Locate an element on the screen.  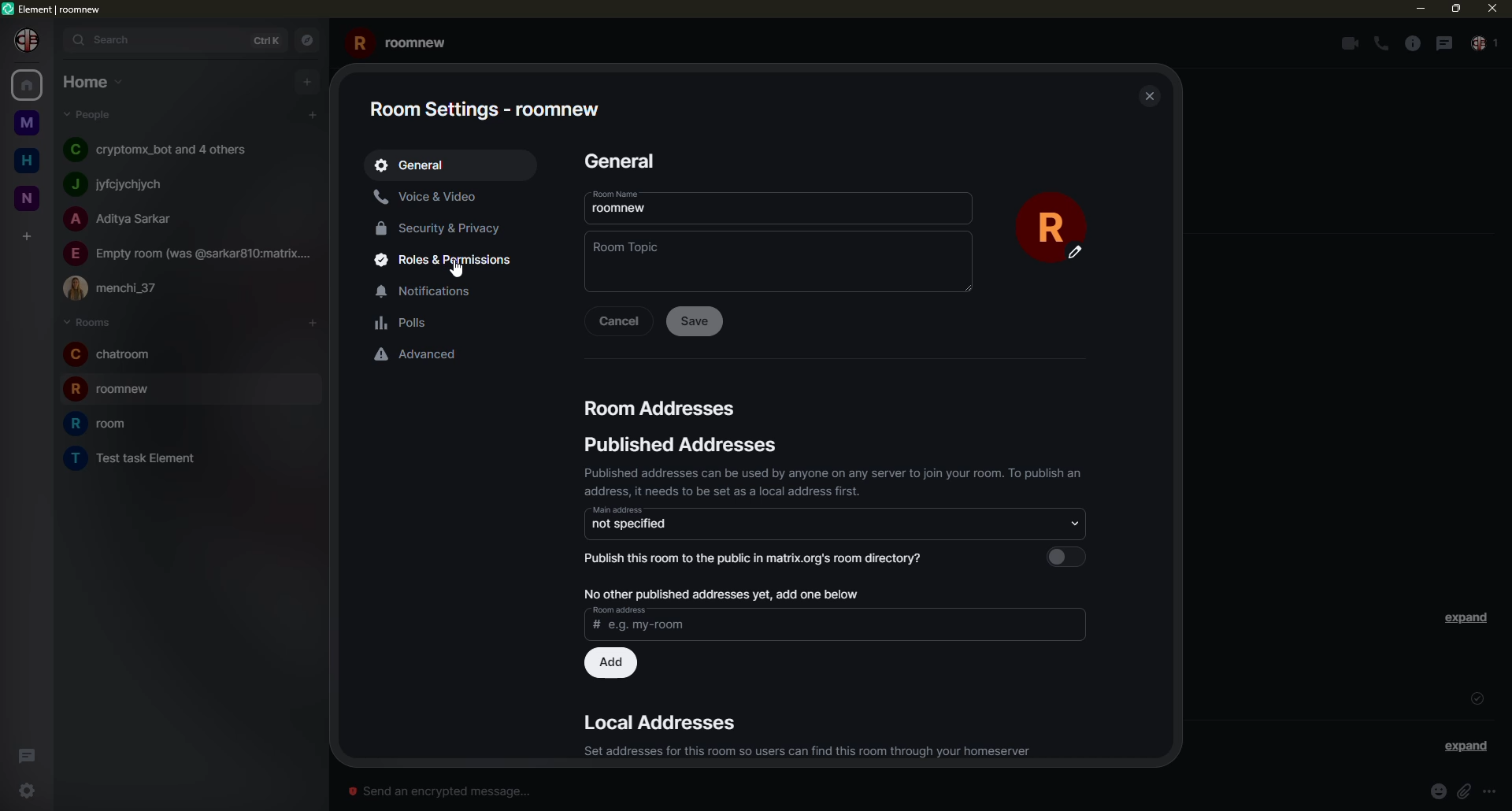
search is located at coordinates (109, 41).